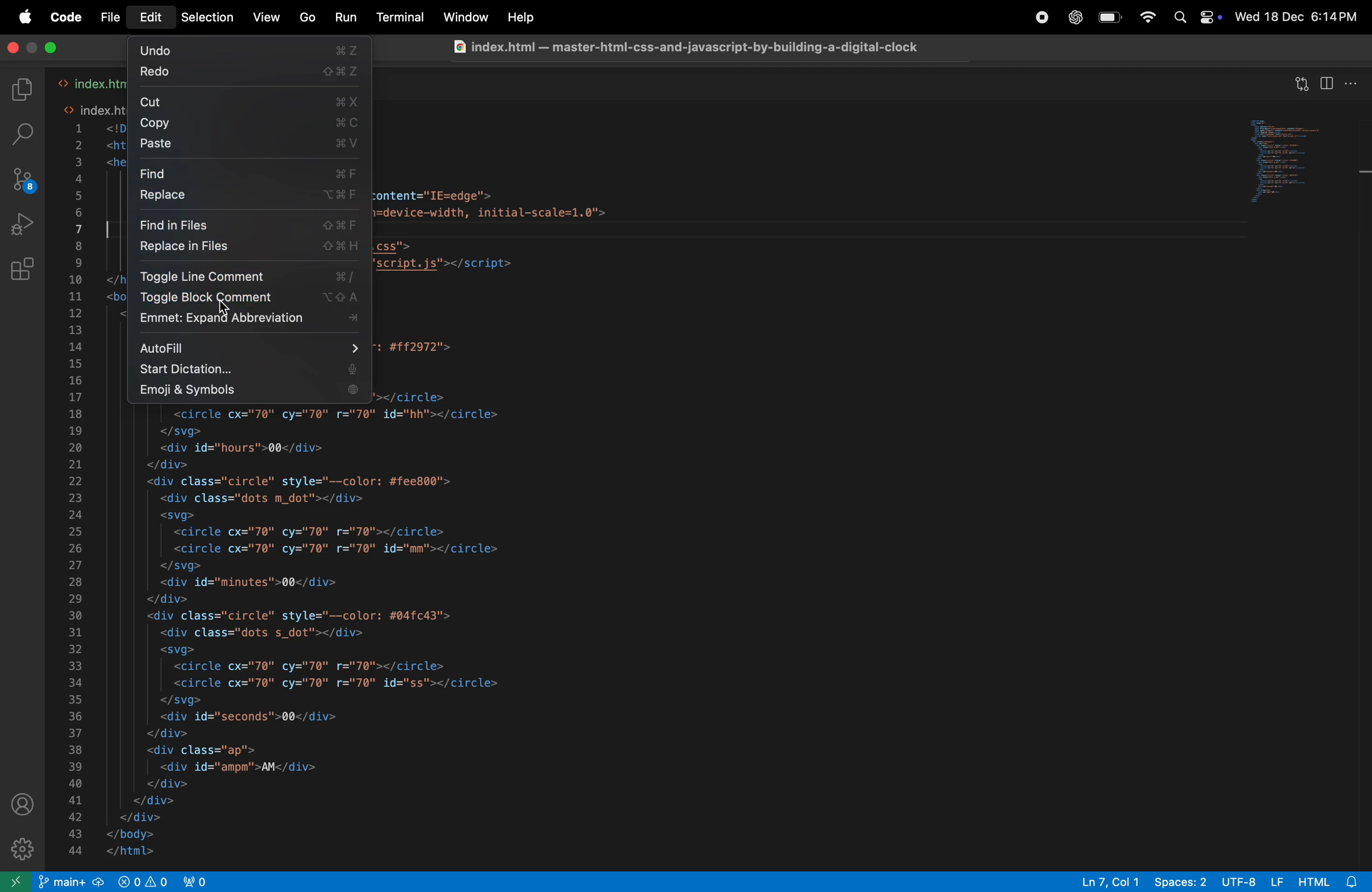 The height and width of the screenshot is (892, 1372). What do you see at coordinates (203, 17) in the screenshot?
I see `selection` at bounding box center [203, 17].